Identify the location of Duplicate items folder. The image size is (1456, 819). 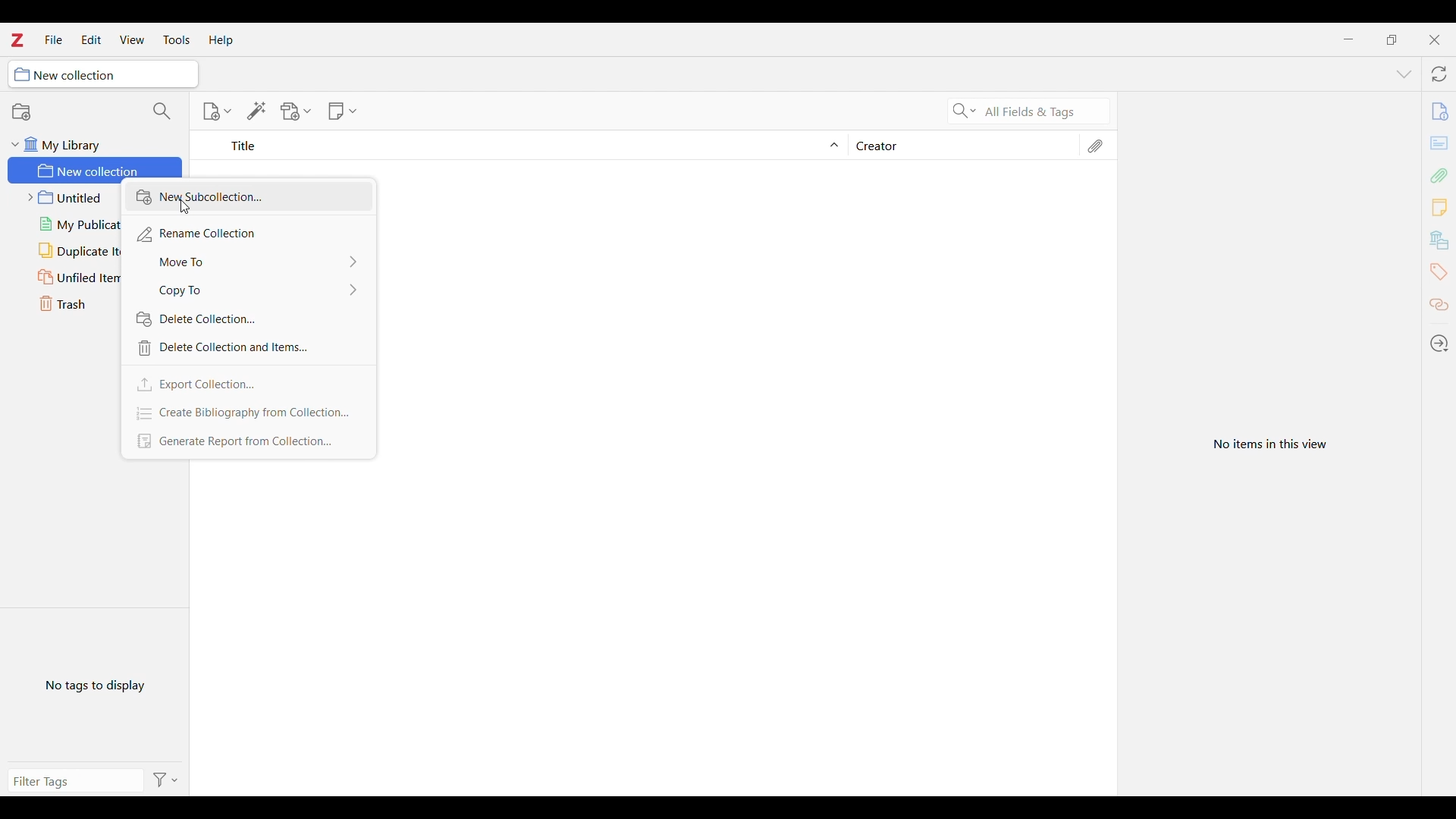
(64, 251).